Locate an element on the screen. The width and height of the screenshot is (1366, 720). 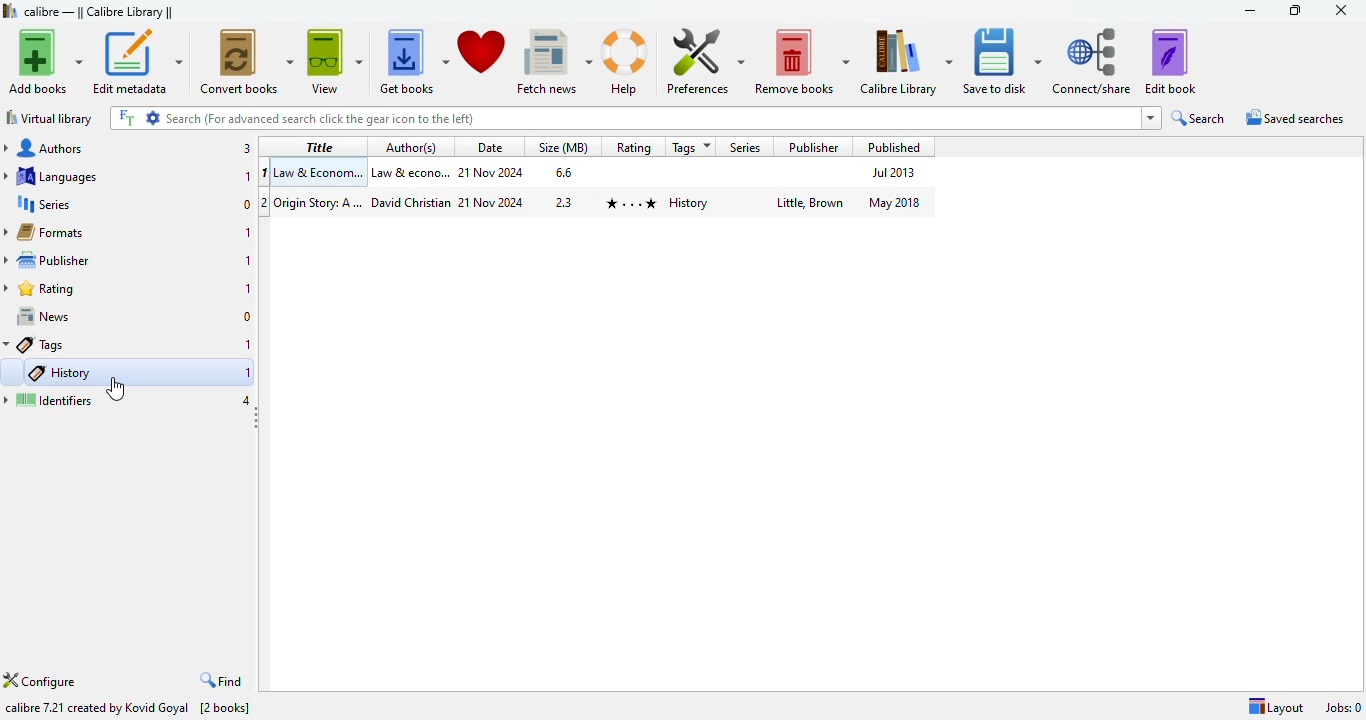
series is located at coordinates (42, 203).